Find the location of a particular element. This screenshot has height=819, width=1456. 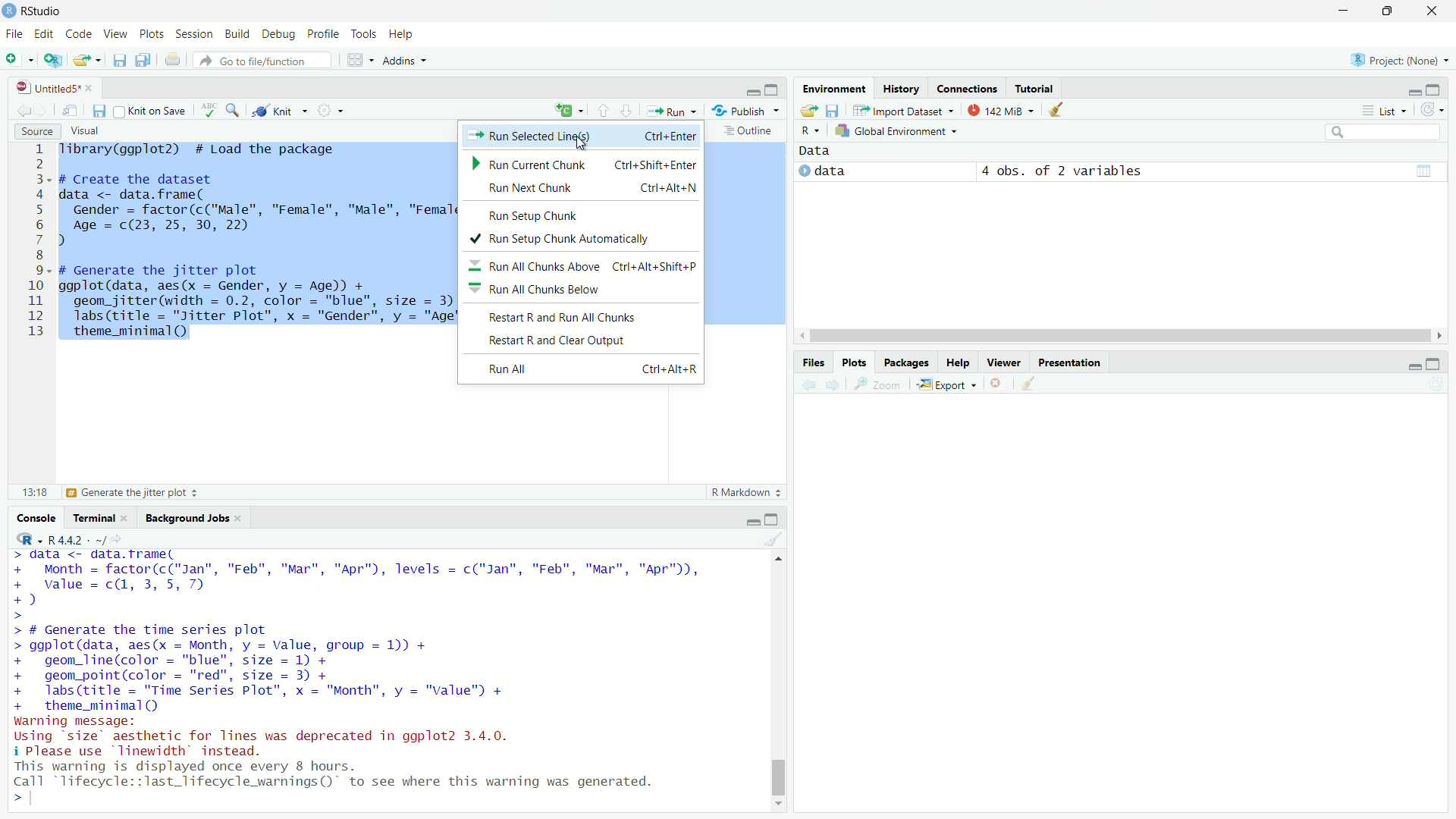

scrollbar is located at coordinates (777, 683).